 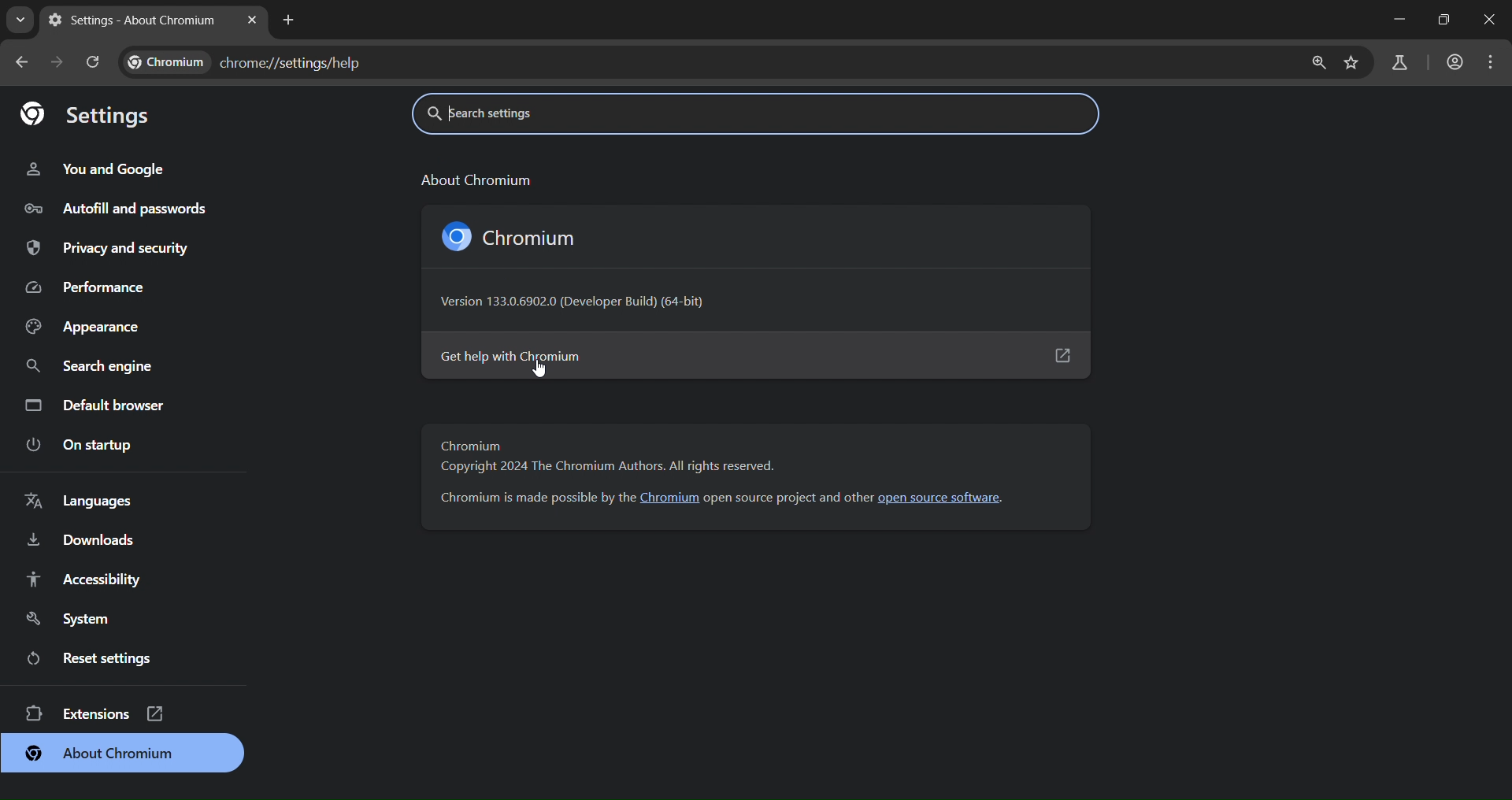 What do you see at coordinates (94, 364) in the screenshot?
I see `search engine ` at bounding box center [94, 364].